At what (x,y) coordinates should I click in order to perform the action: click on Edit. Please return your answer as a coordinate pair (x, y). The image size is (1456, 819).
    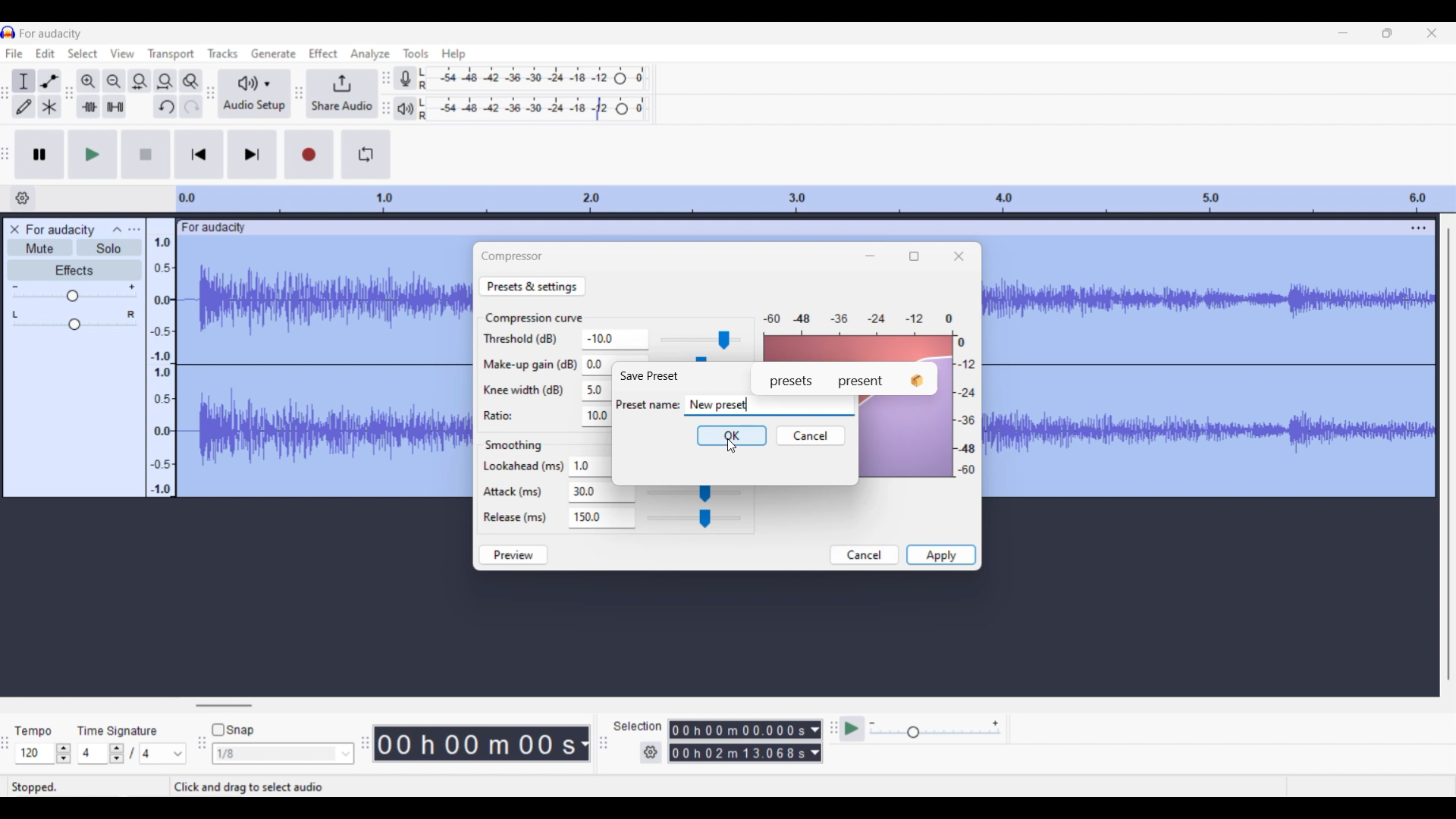
    Looking at the image, I should click on (45, 53).